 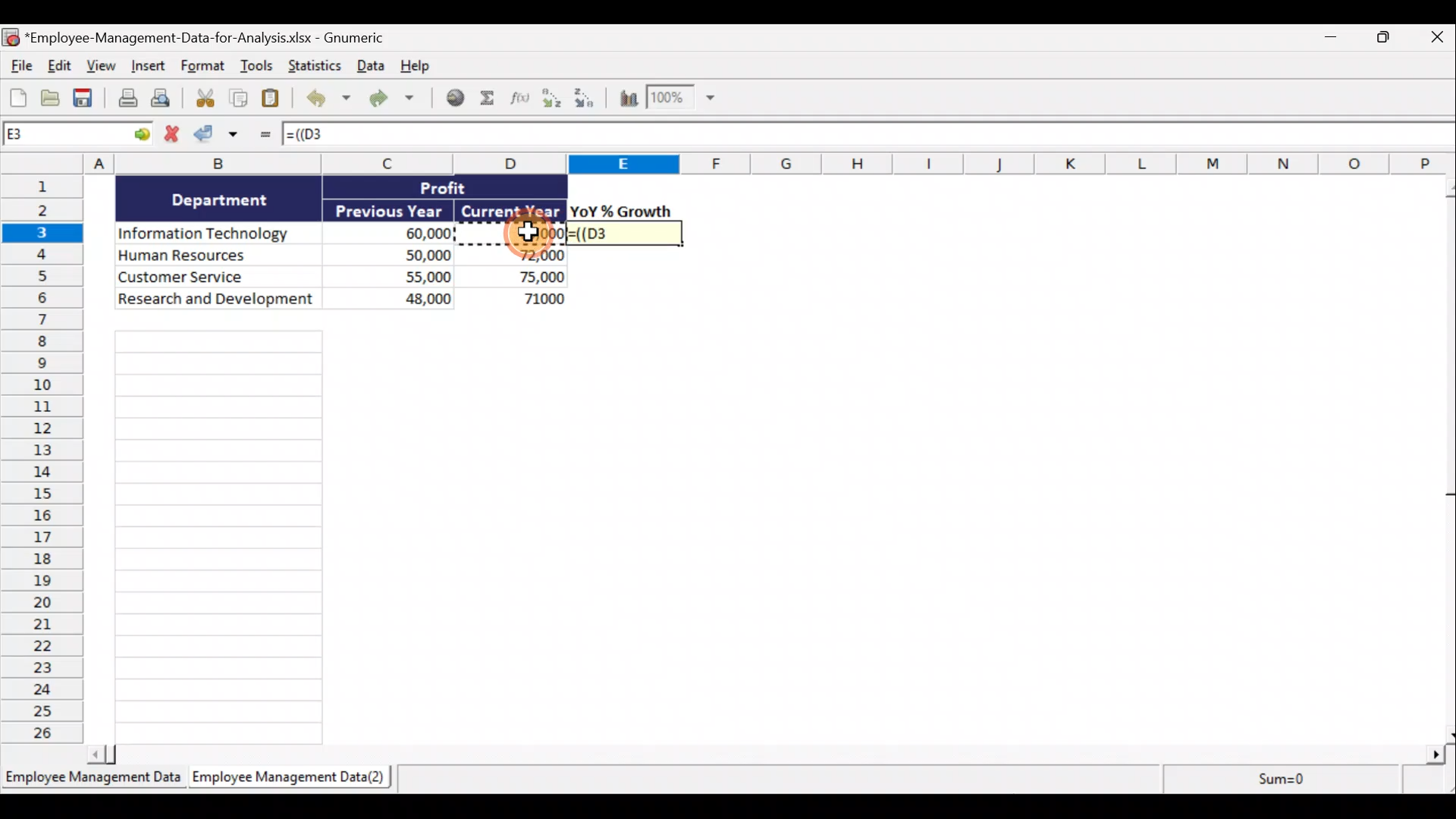 What do you see at coordinates (680, 99) in the screenshot?
I see `Zoom` at bounding box center [680, 99].